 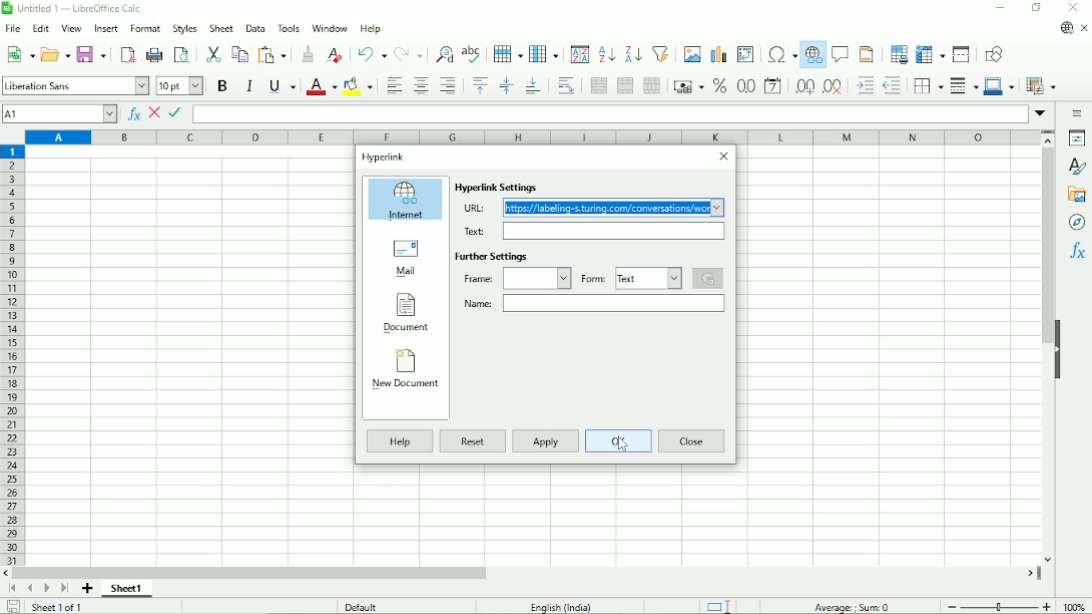 What do you see at coordinates (308, 54) in the screenshot?
I see `Clone formatting` at bounding box center [308, 54].